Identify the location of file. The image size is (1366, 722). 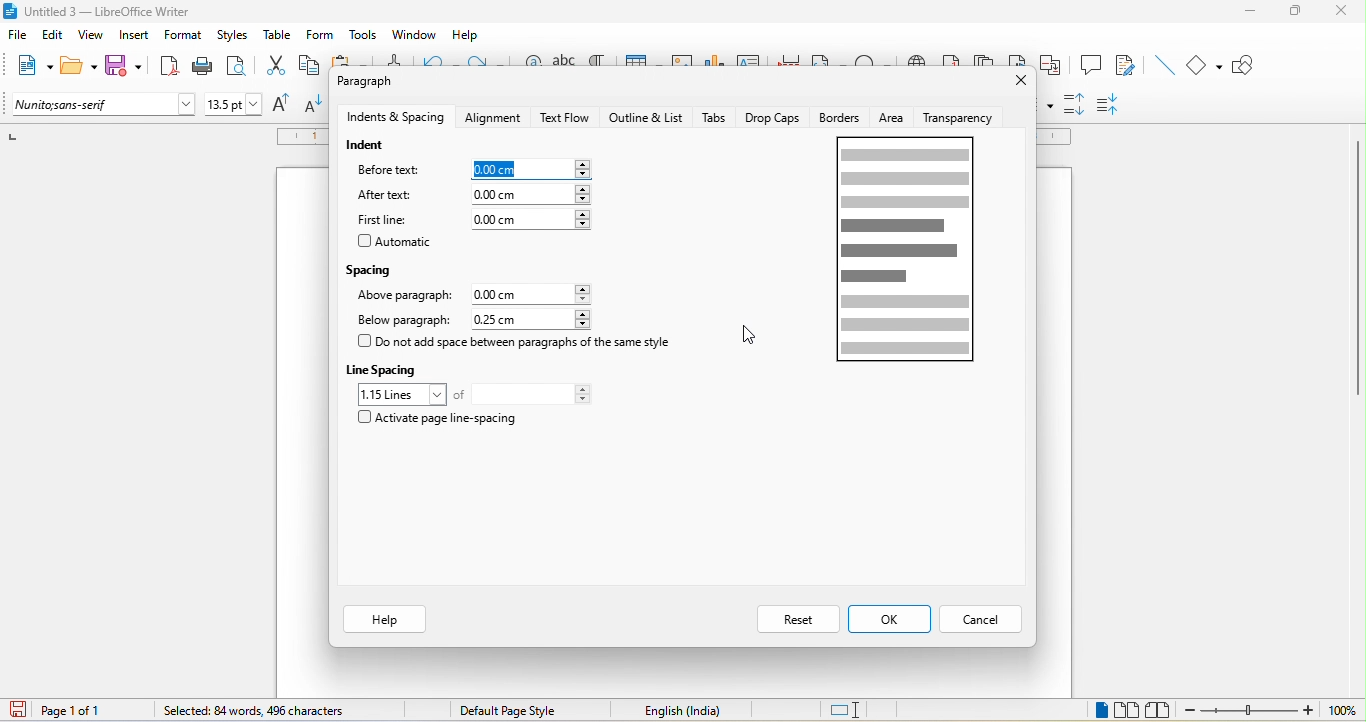
(21, 36).